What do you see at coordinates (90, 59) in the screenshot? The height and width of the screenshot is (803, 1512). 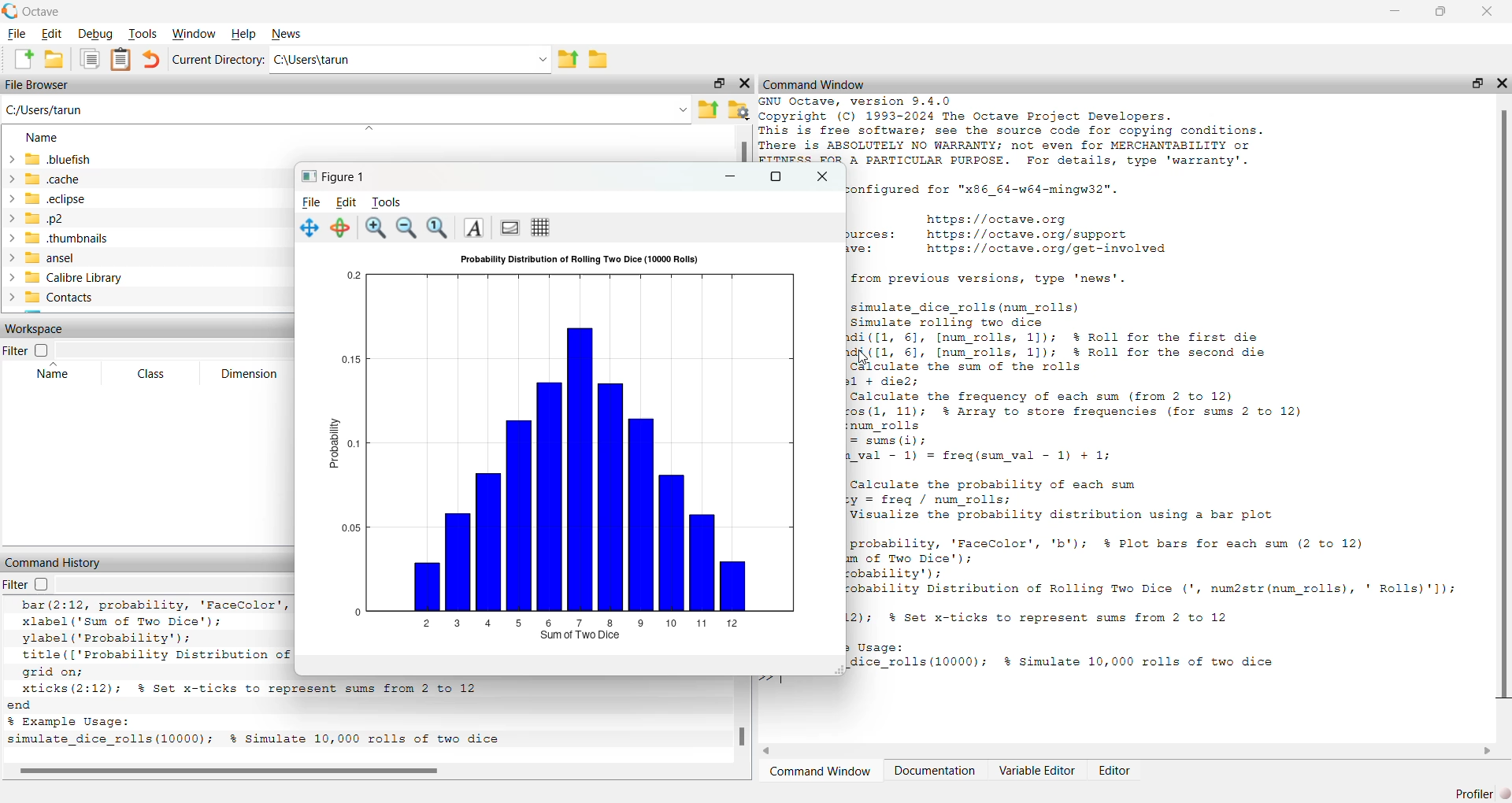 I see `copy` at bounding box center [90, 59].